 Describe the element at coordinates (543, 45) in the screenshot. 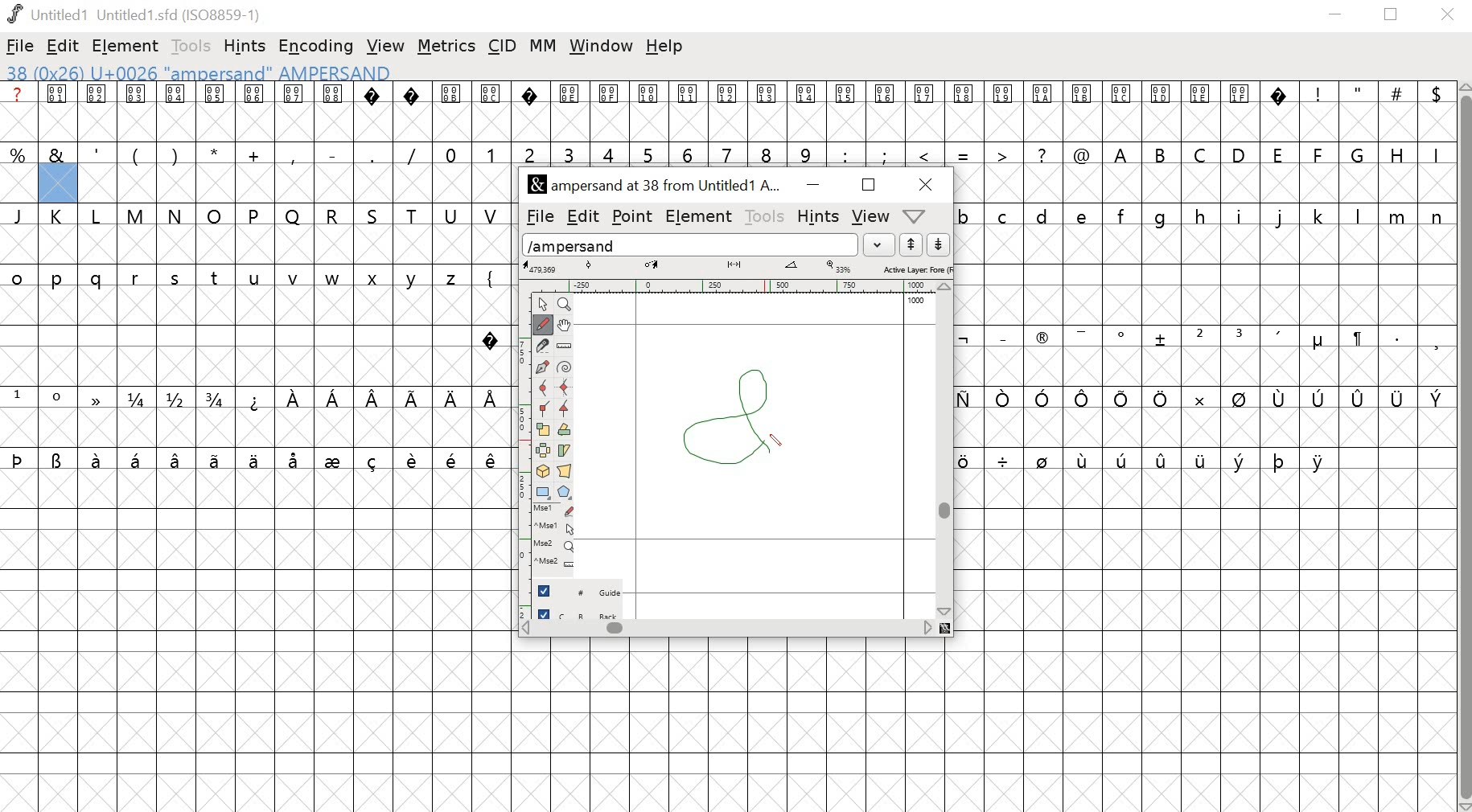

I see `mm` at that location.